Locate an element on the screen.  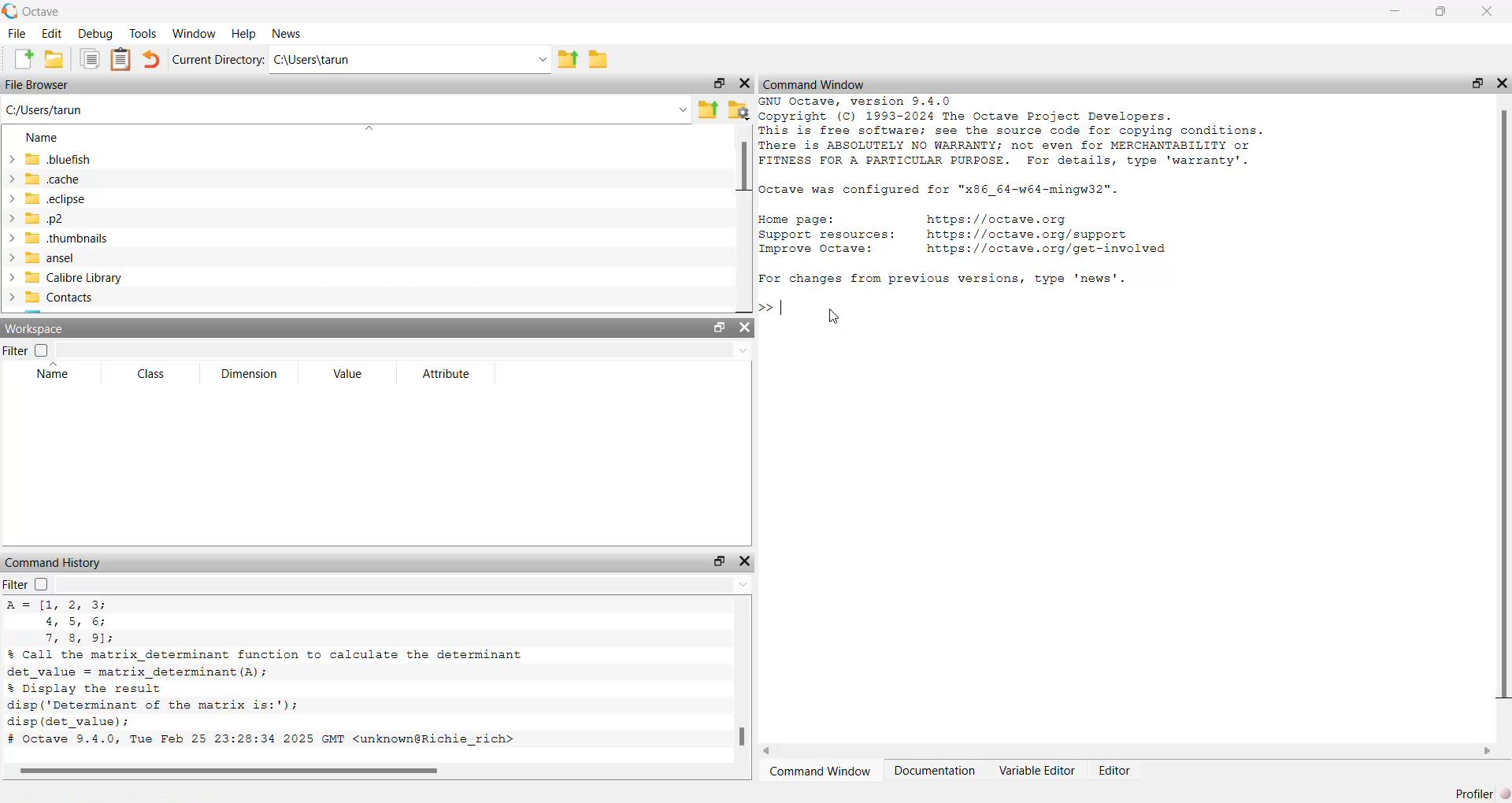
class is located at coordinates (155, 376).